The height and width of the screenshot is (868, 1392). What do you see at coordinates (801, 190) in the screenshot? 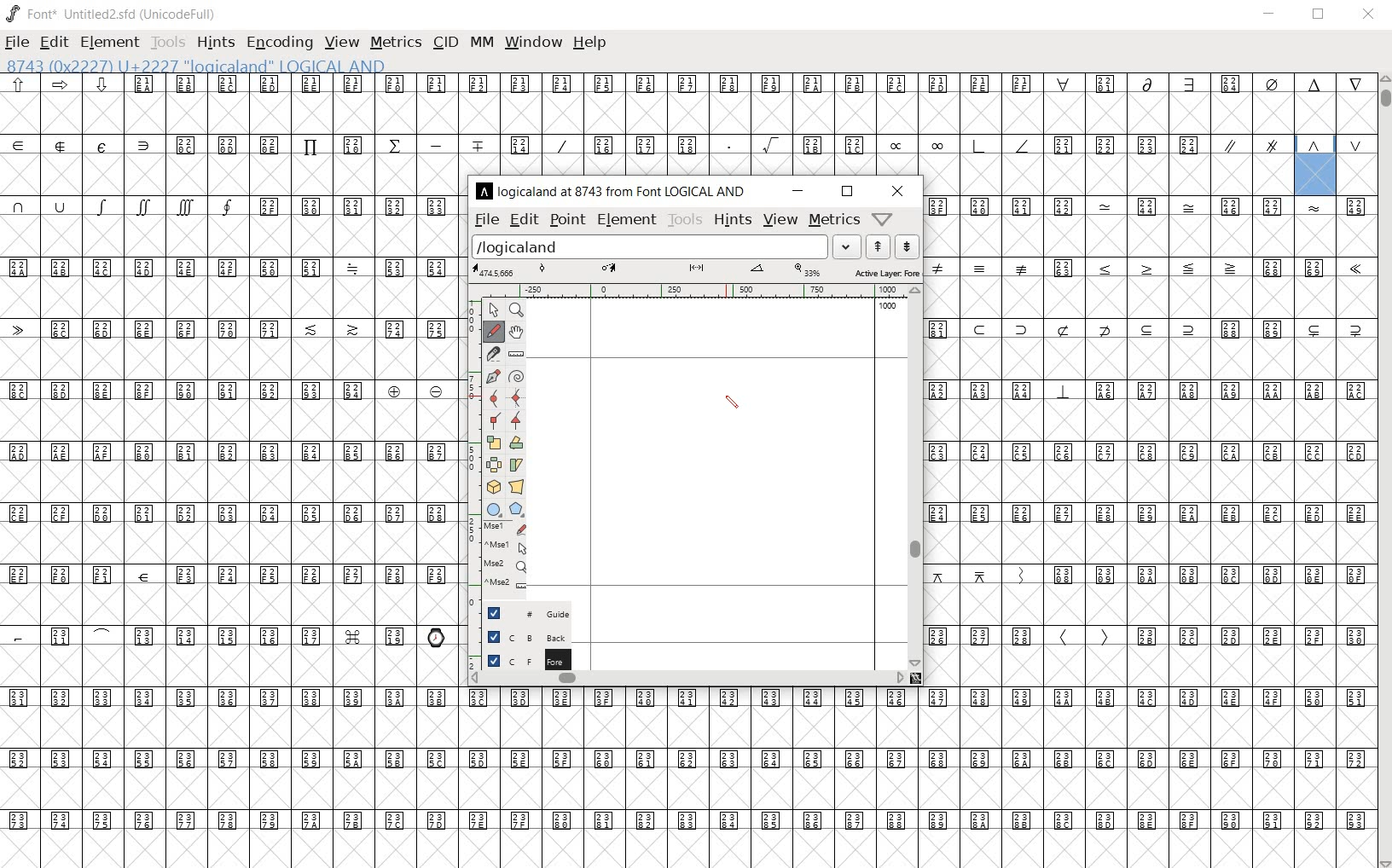
I see `minimize` at bounding box center [801, 190].